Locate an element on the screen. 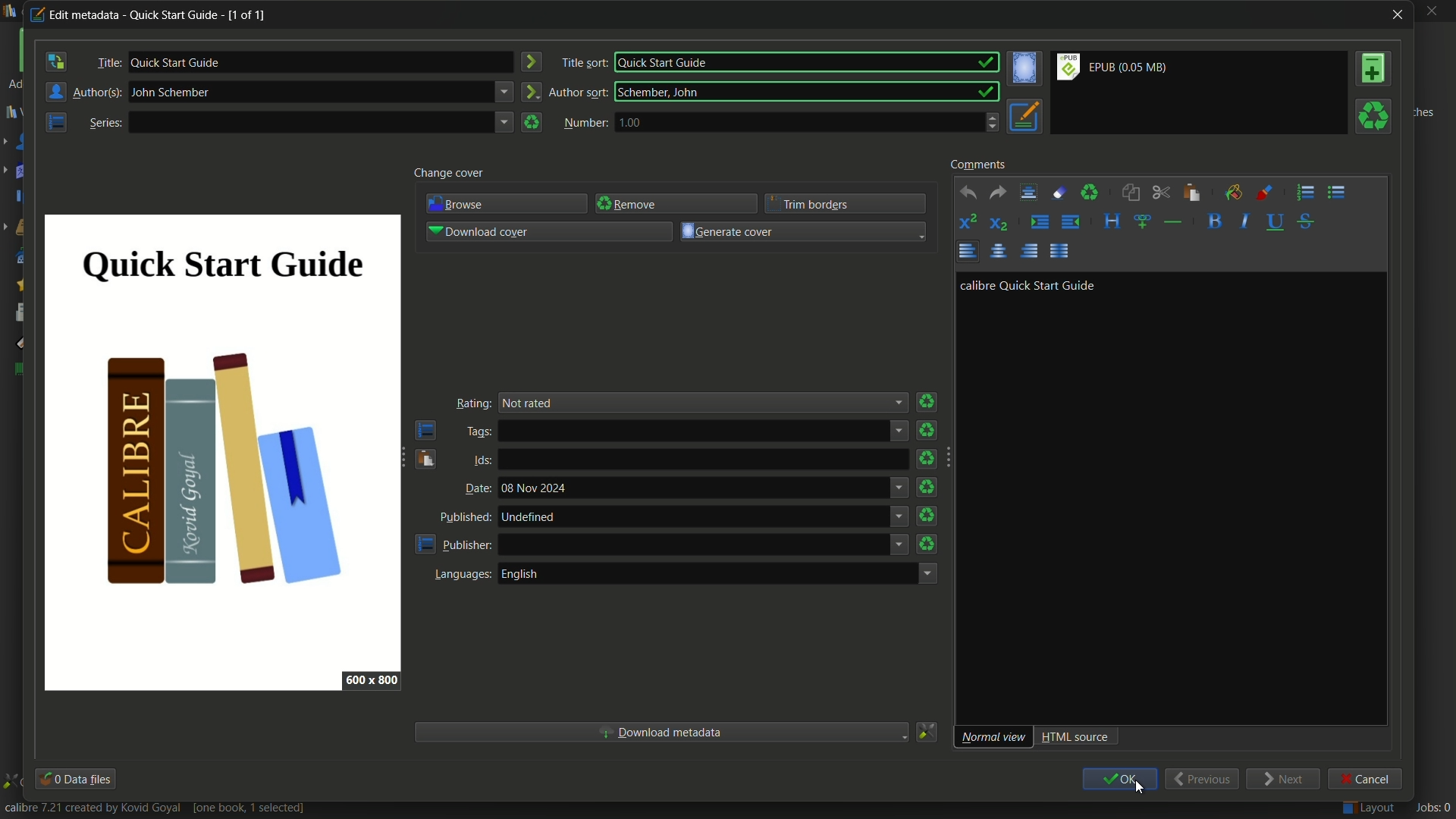 This screenshot has height=819, width=1456. change how metadata is download is located at coordinates (926, 732).